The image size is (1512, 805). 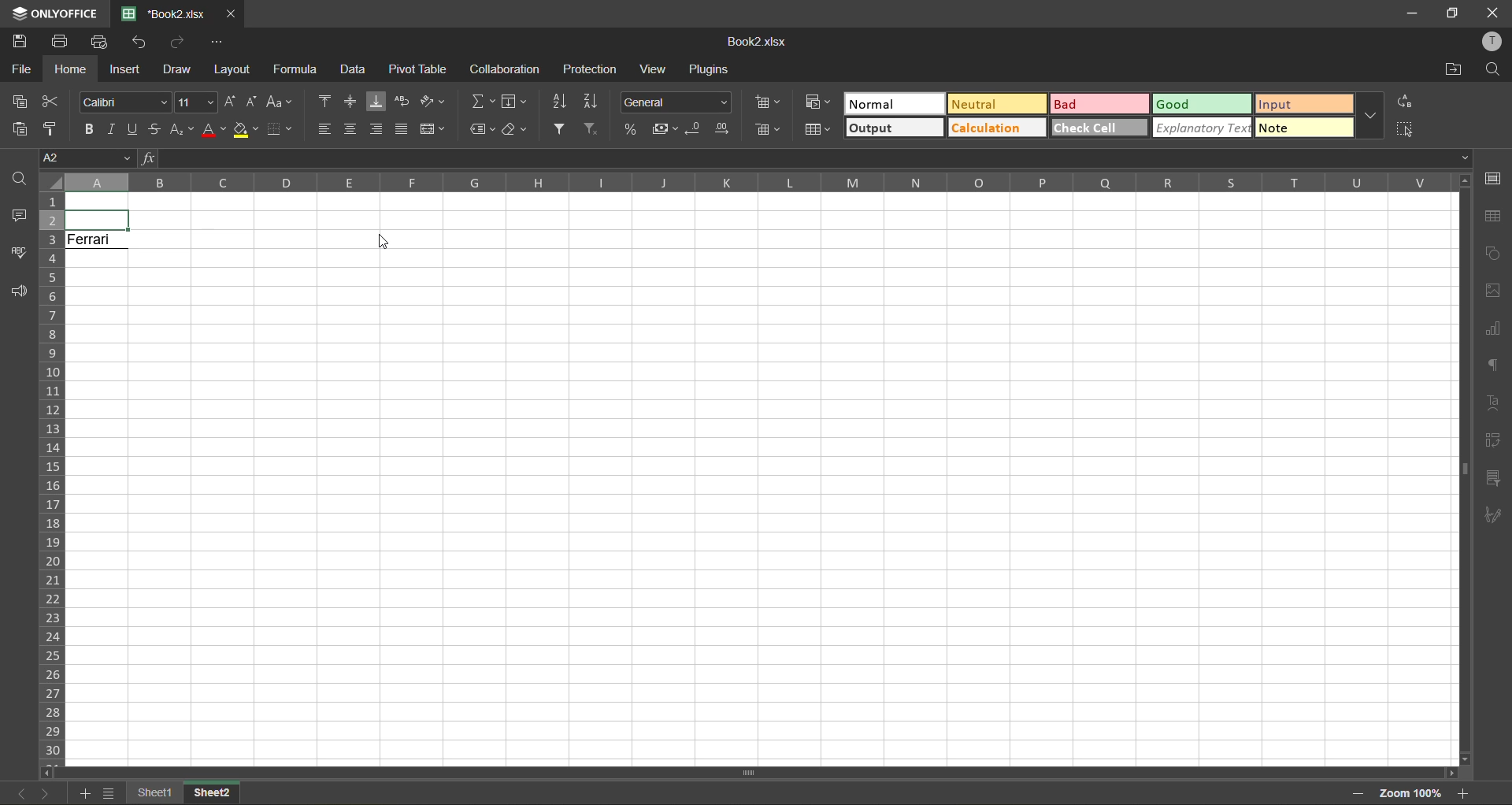 What do you see at coordinates (706, 72) in the screenshot?
I see `plugins` at bounding box center [706, 72].